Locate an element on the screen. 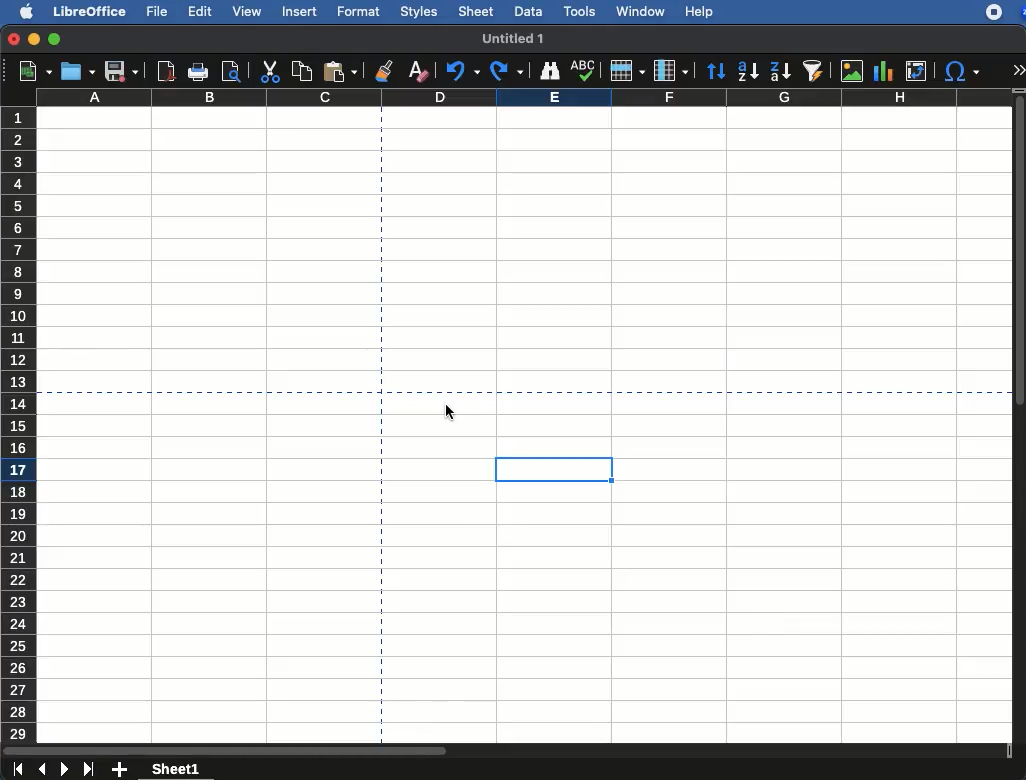 Image resolution: width=1026 pixels, height=780 pixels. open is located at coordinates (78, 70).